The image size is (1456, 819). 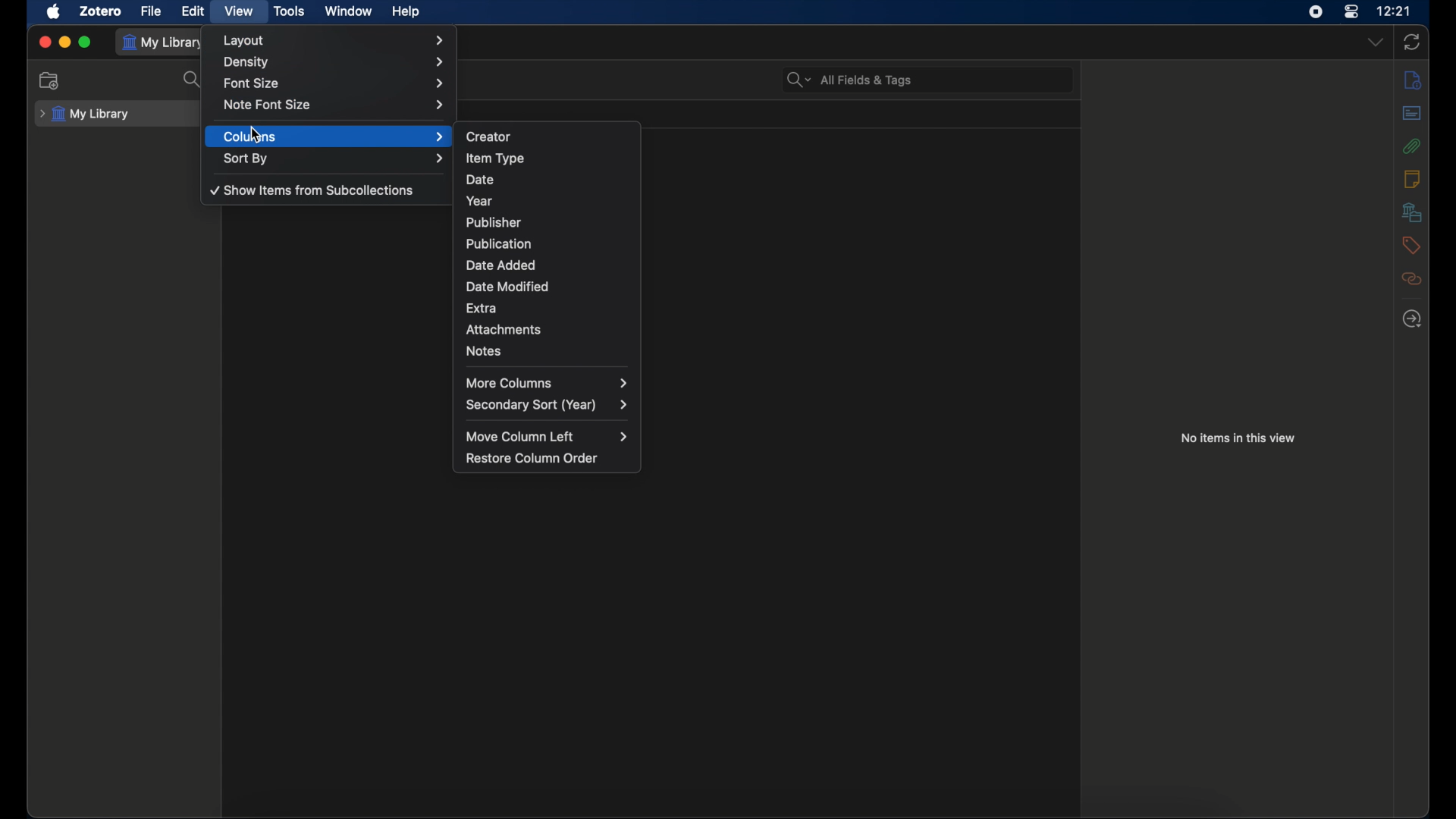 What do you see at coordinates (481, 179) in the screenshot?
I see `date` at bounding box center [481, 179].